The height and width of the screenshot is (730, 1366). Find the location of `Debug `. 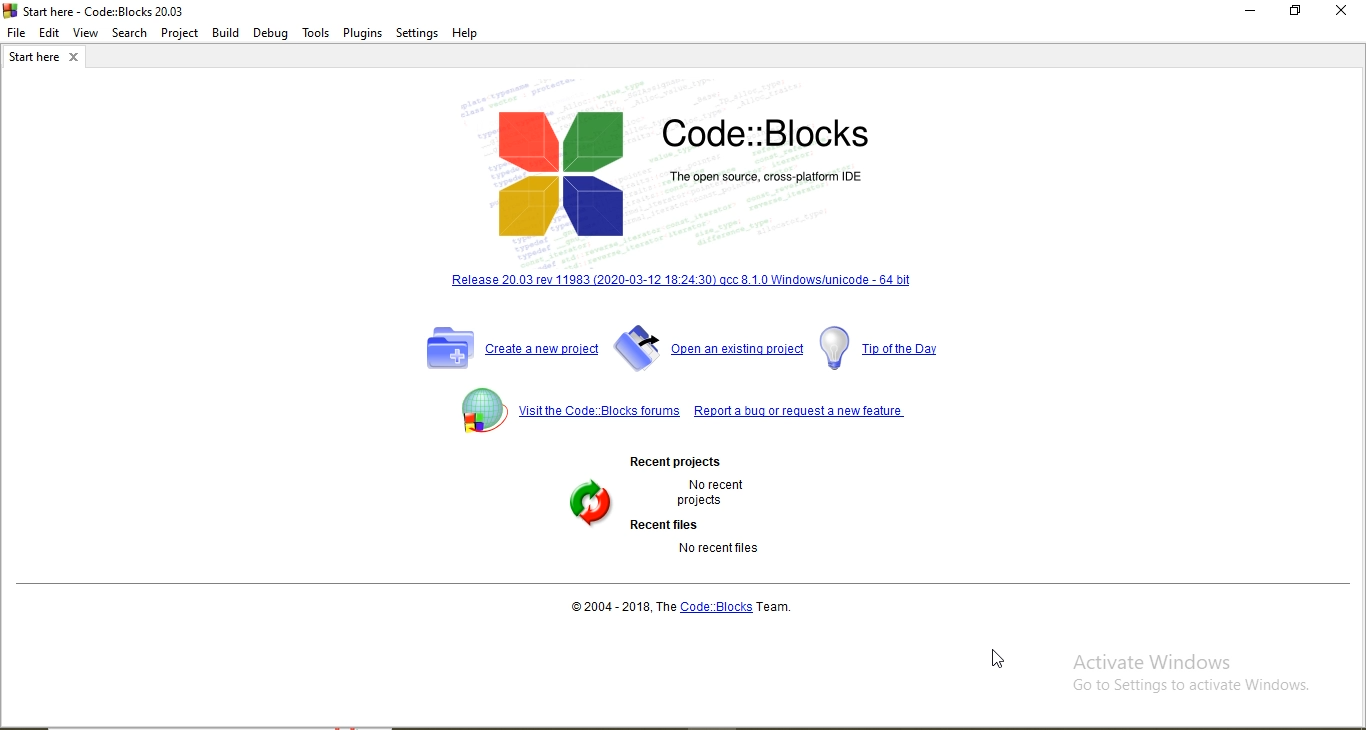

Debug  is located at coordinates (270, 32).